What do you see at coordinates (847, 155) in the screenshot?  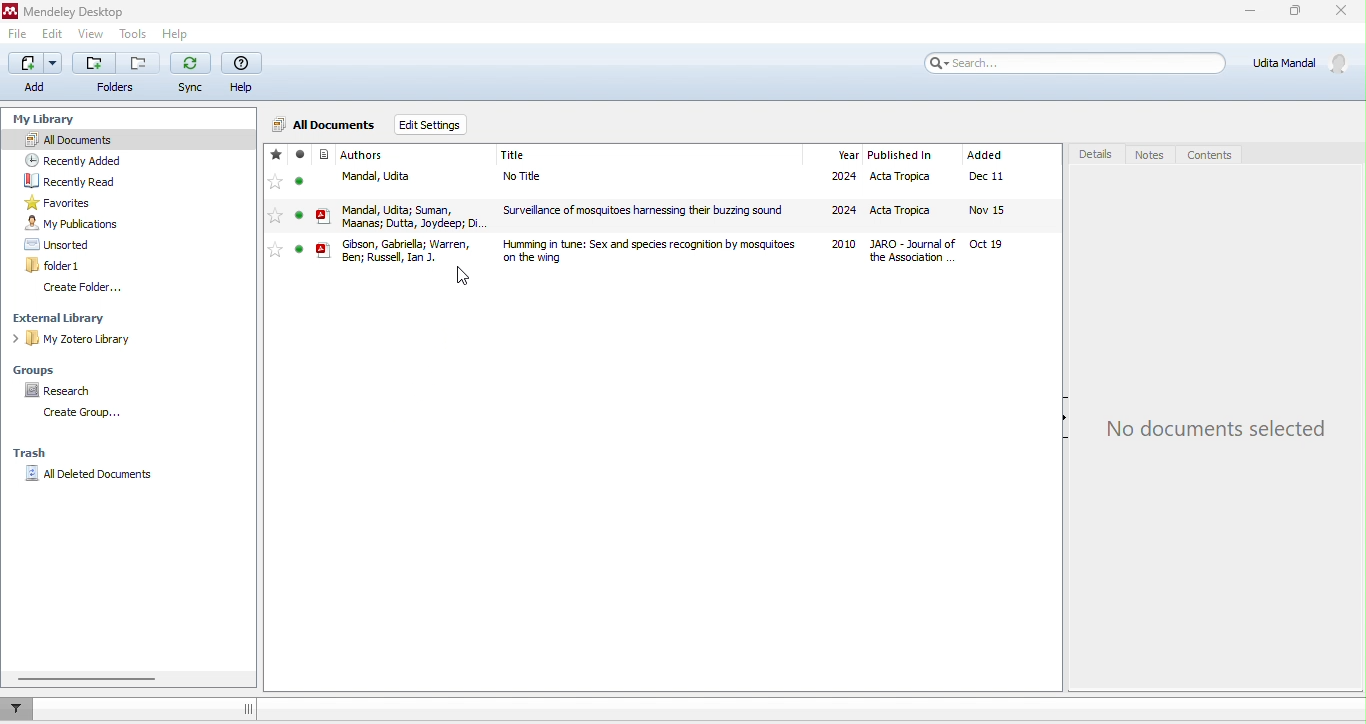 I see `year` at bounding box center [847, 155].